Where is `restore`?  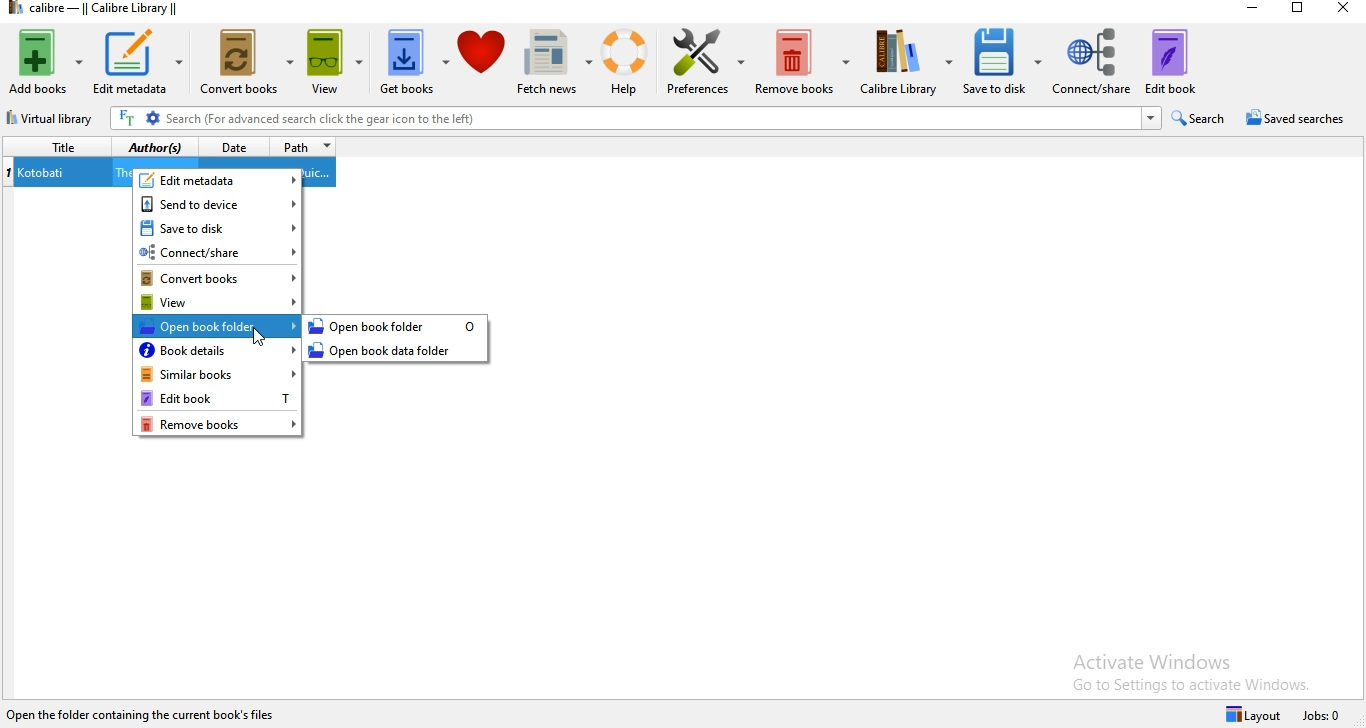
restore is located at coordinates (1300, 11).